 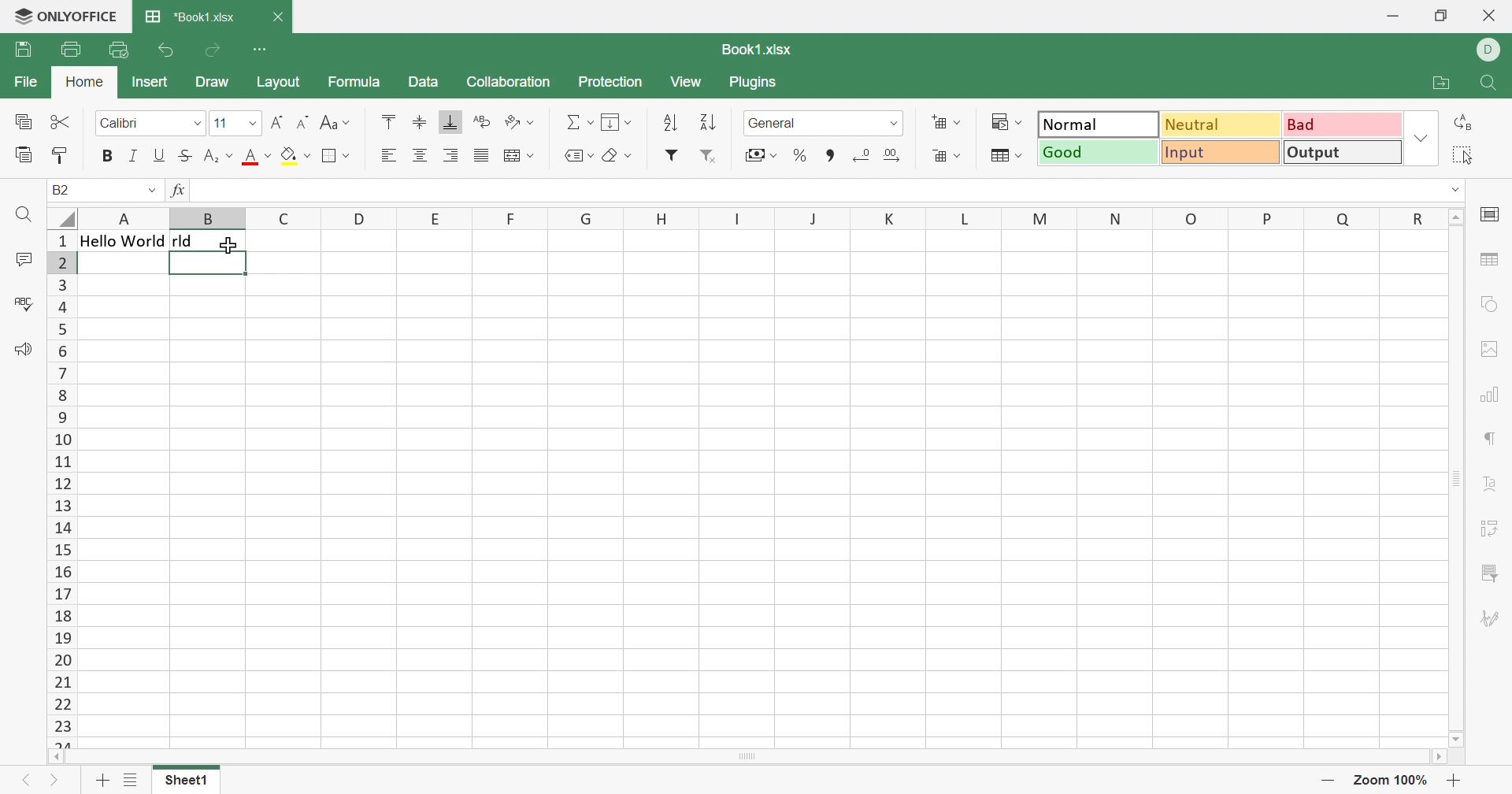 I want to click on Scroll Bar, so click(x=1455, y=479).